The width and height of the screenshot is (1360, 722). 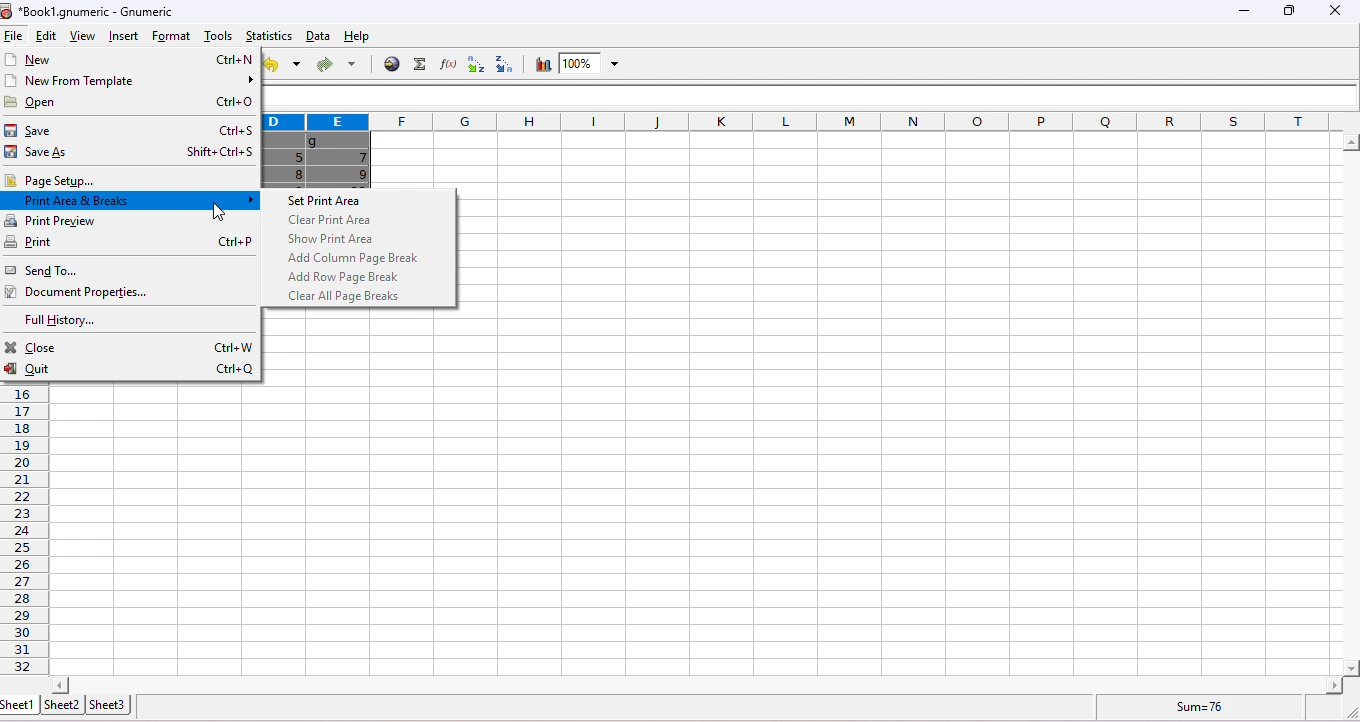 What do you see at coordinates (80, 38) in the screenshot?
I see `view` at bounding box center [80, 38].